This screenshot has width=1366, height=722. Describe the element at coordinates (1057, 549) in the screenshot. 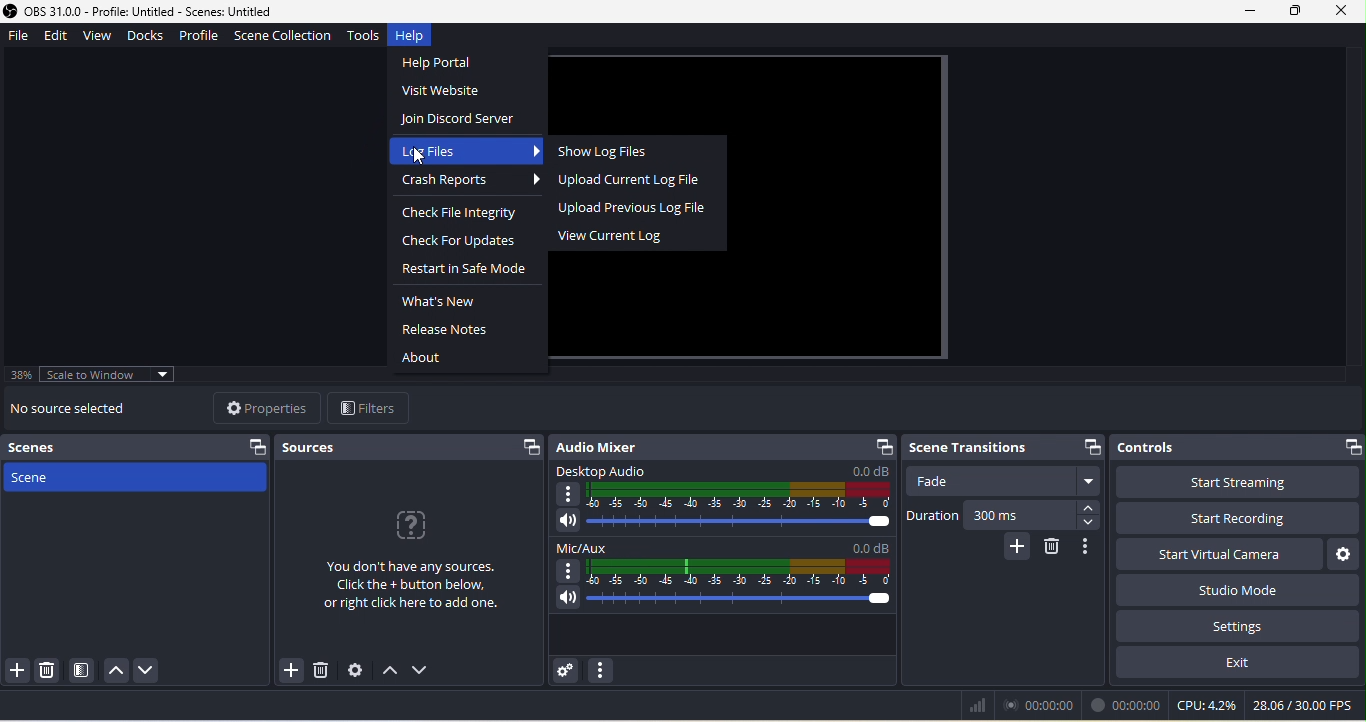

I see `remove` at that location.